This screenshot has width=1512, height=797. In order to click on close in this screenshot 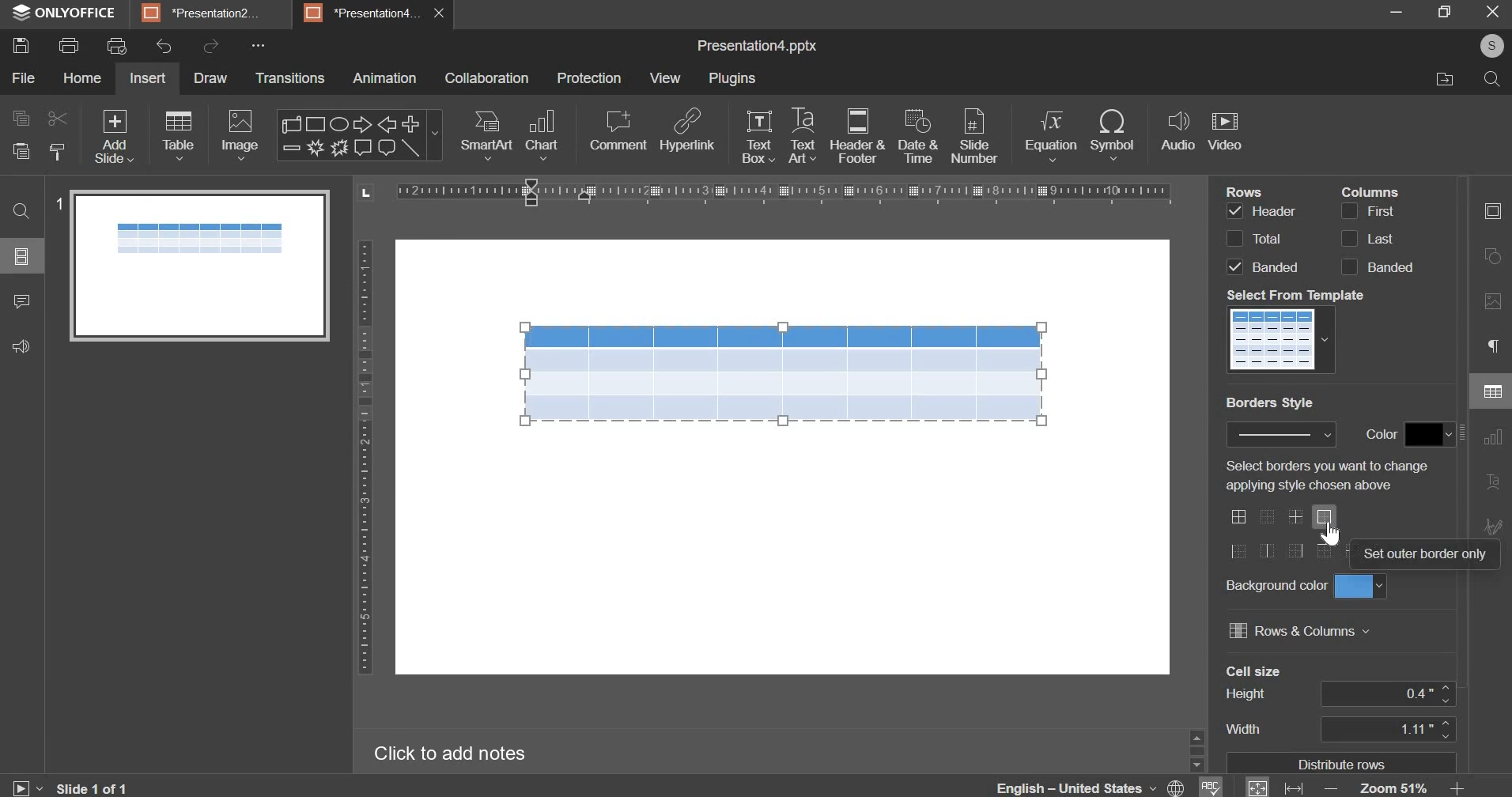, I will do `click(1491, 10)`.